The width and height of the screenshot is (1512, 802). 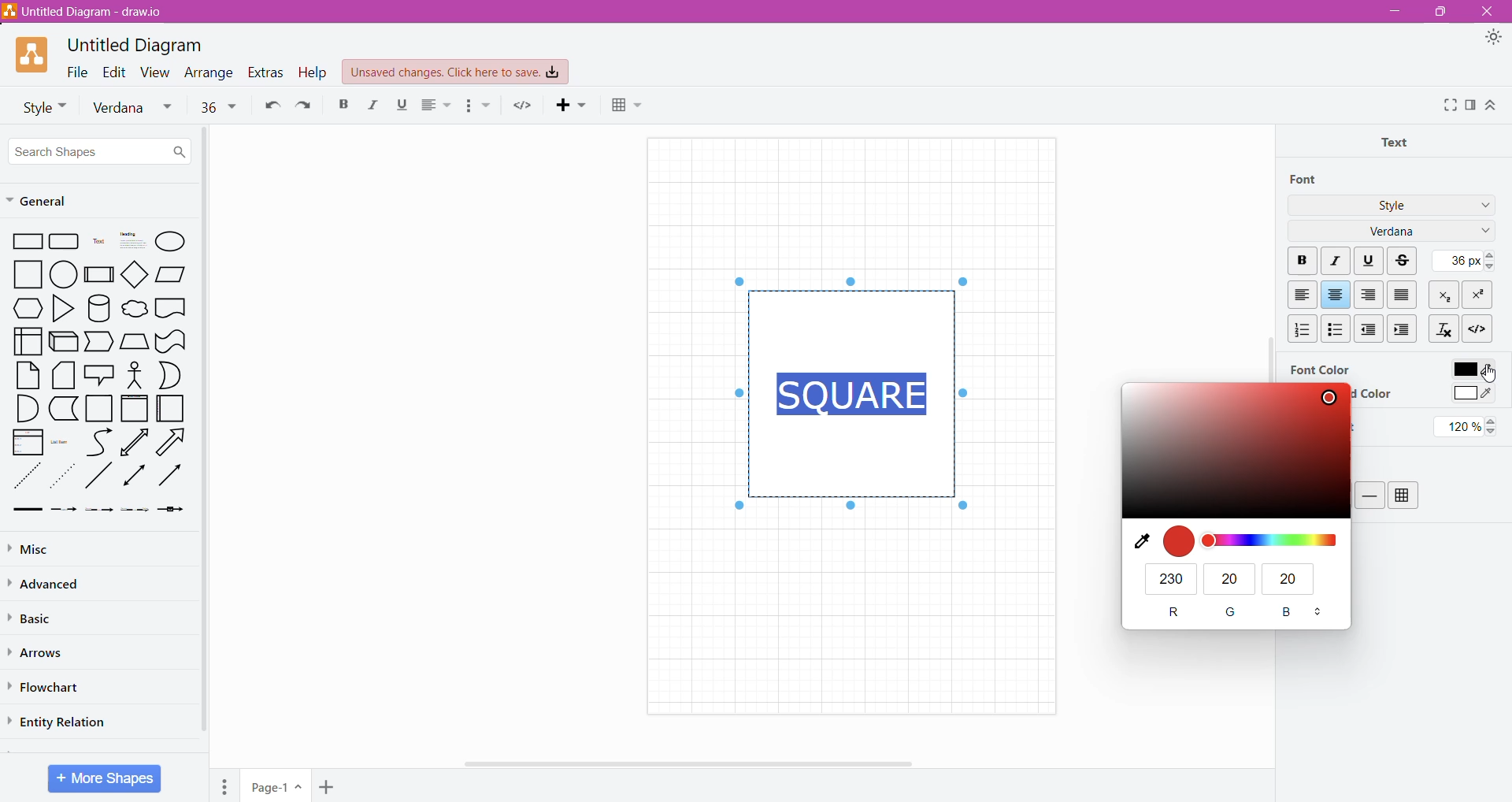 I want to click on Bulleted List, so click(x=1335, y=328).